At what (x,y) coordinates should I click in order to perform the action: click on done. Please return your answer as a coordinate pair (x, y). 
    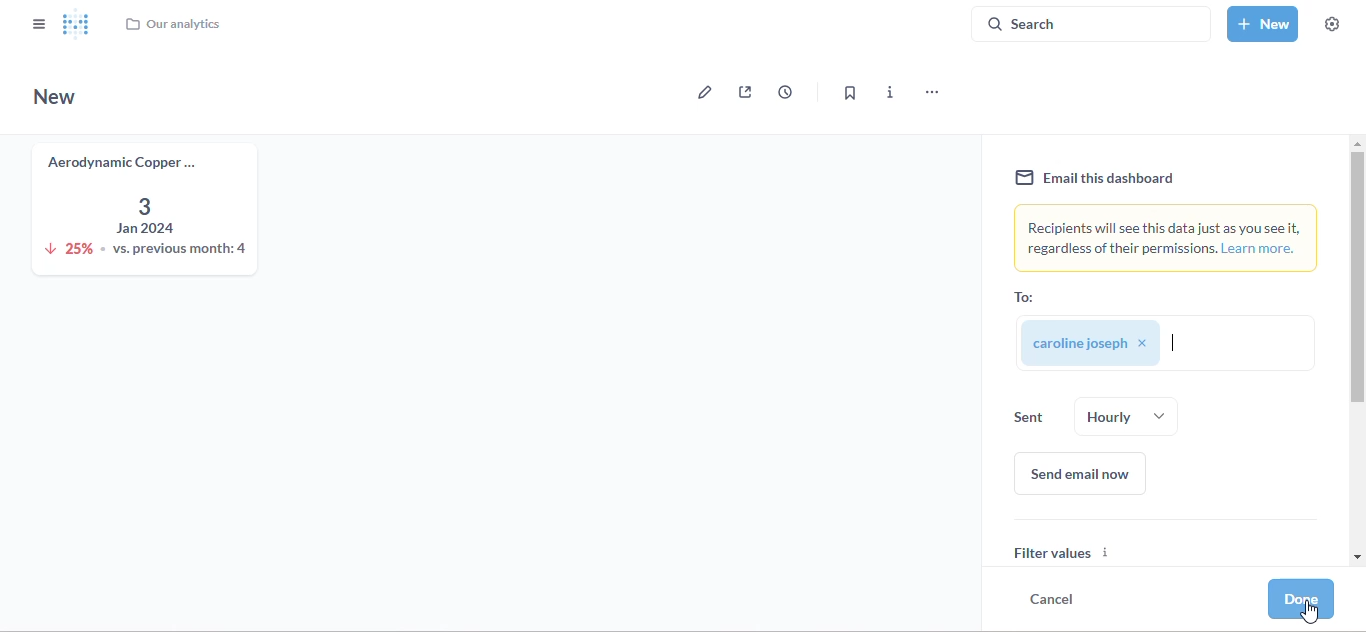
    Looking at the image, I should click on (1302, 598).